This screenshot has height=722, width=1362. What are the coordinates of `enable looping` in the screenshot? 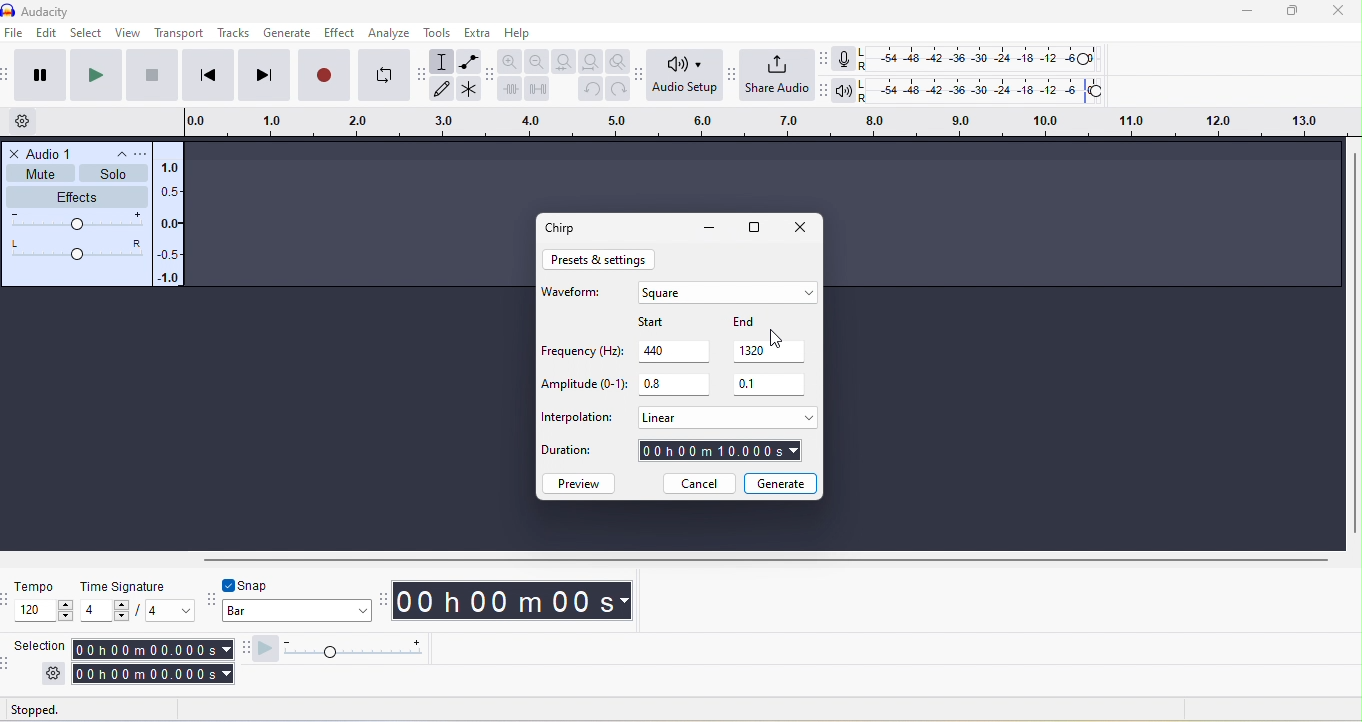 It's located at (384, 73).